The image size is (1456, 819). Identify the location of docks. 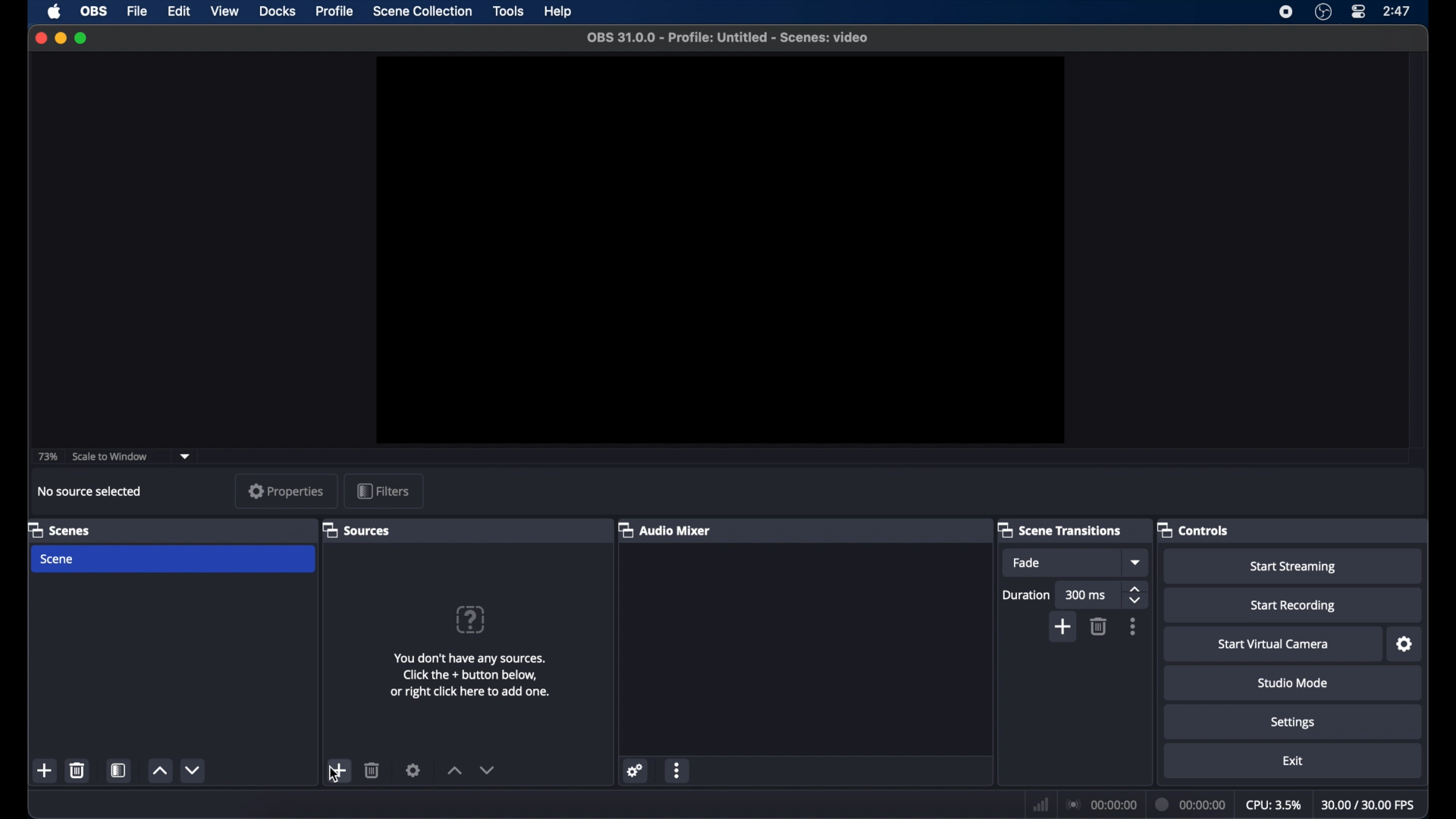
(278, 11).